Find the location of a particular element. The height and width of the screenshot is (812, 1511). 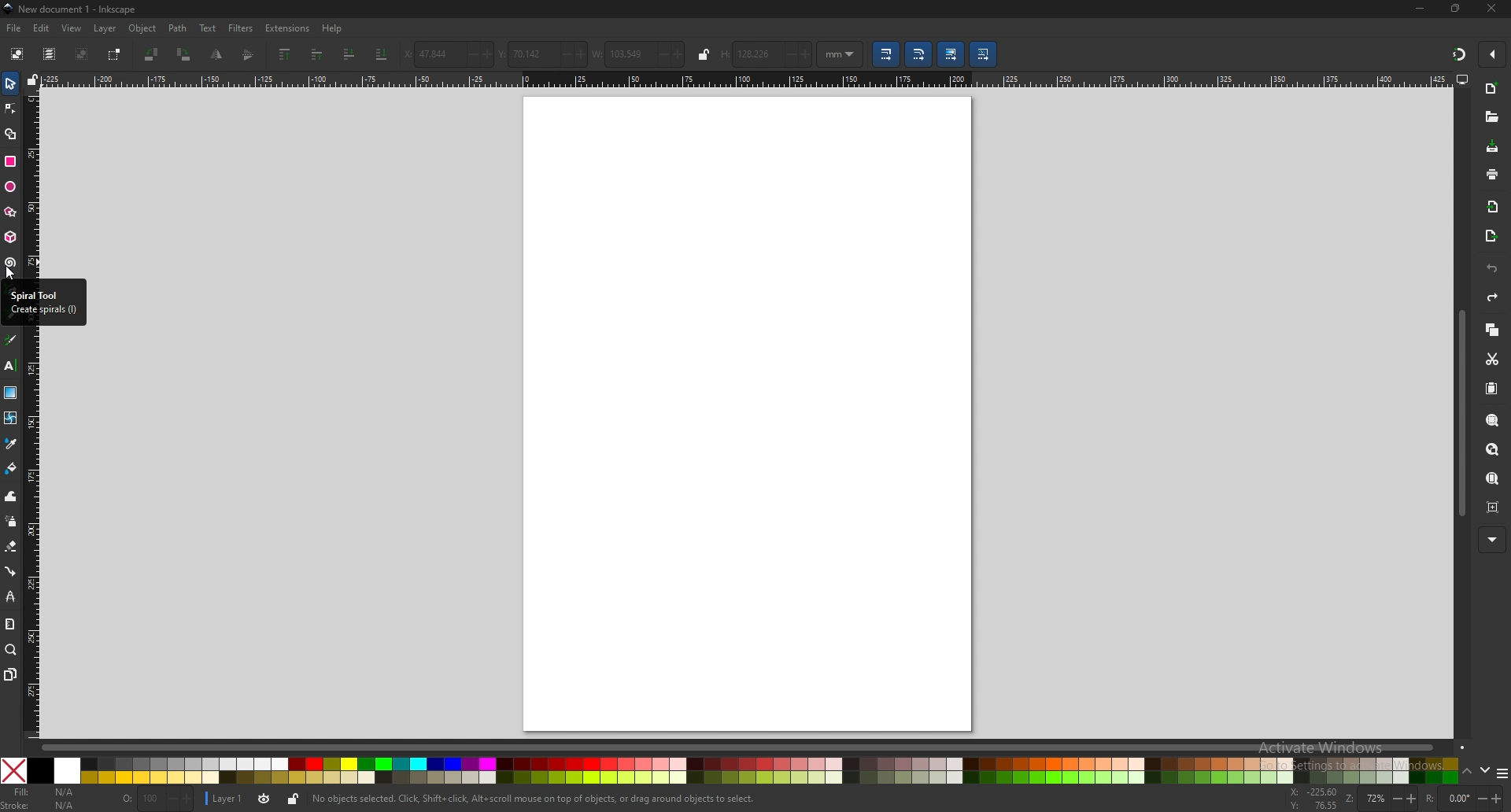

ellipse is located at coordinates (10, 186).